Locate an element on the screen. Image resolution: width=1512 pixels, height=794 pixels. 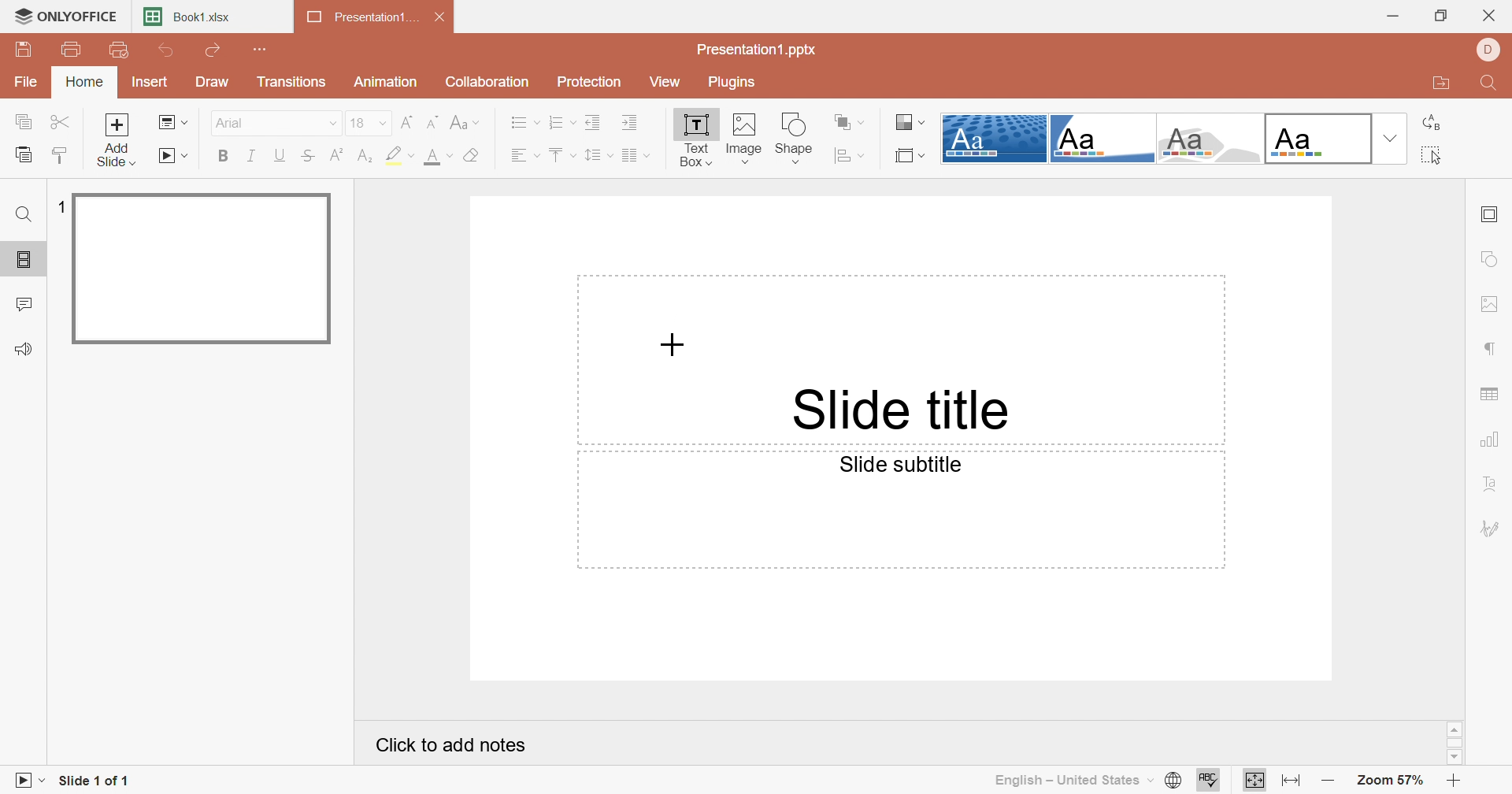
Start slide is located at coordinates (24, 781).